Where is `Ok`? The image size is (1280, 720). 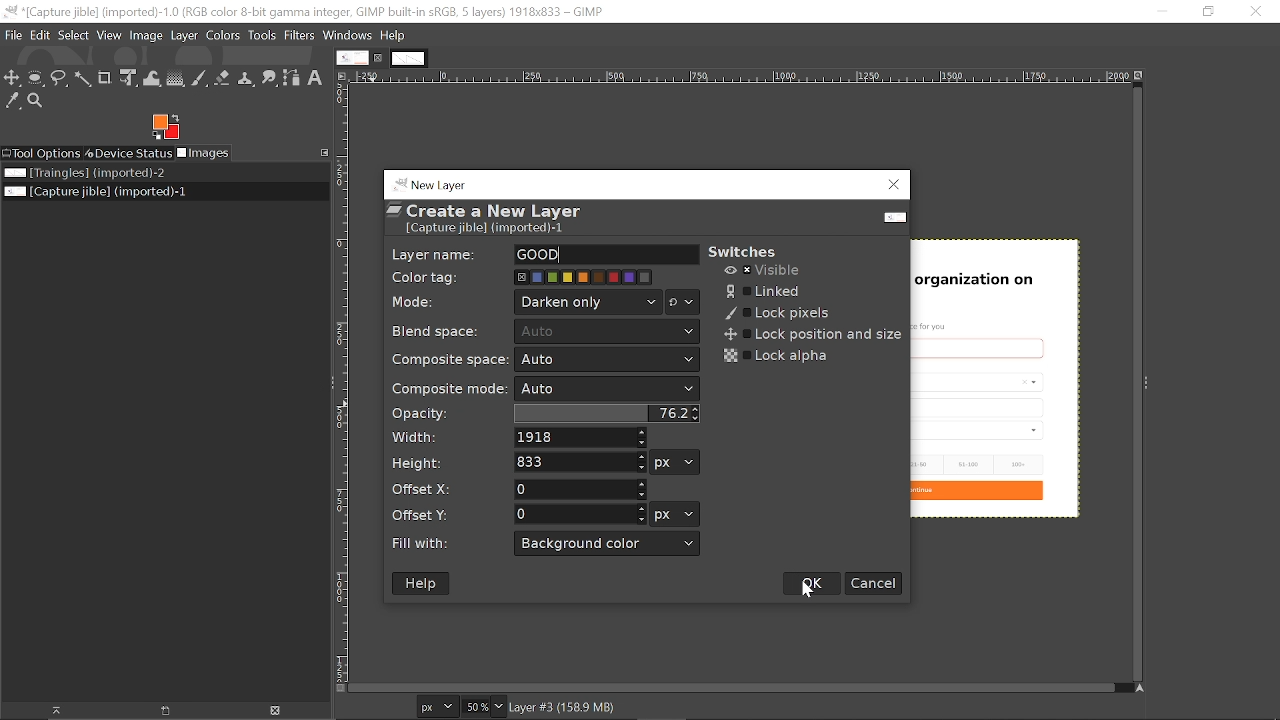 Ok is located at coordinates (812, 582).